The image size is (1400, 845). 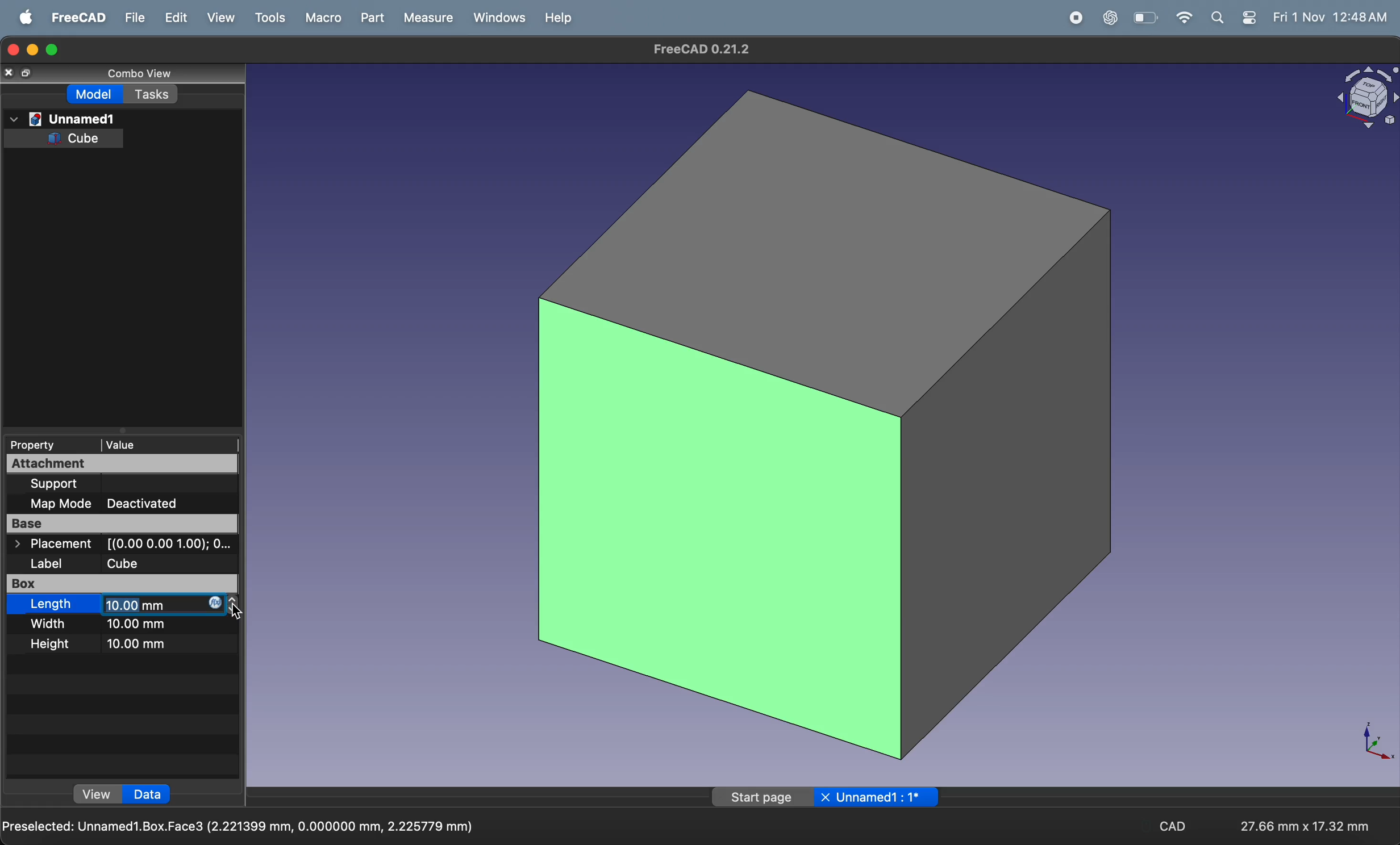 What do you see at coordinates (56, 643) in the screenshot?
I see `height` at bounding box center [56, 643].